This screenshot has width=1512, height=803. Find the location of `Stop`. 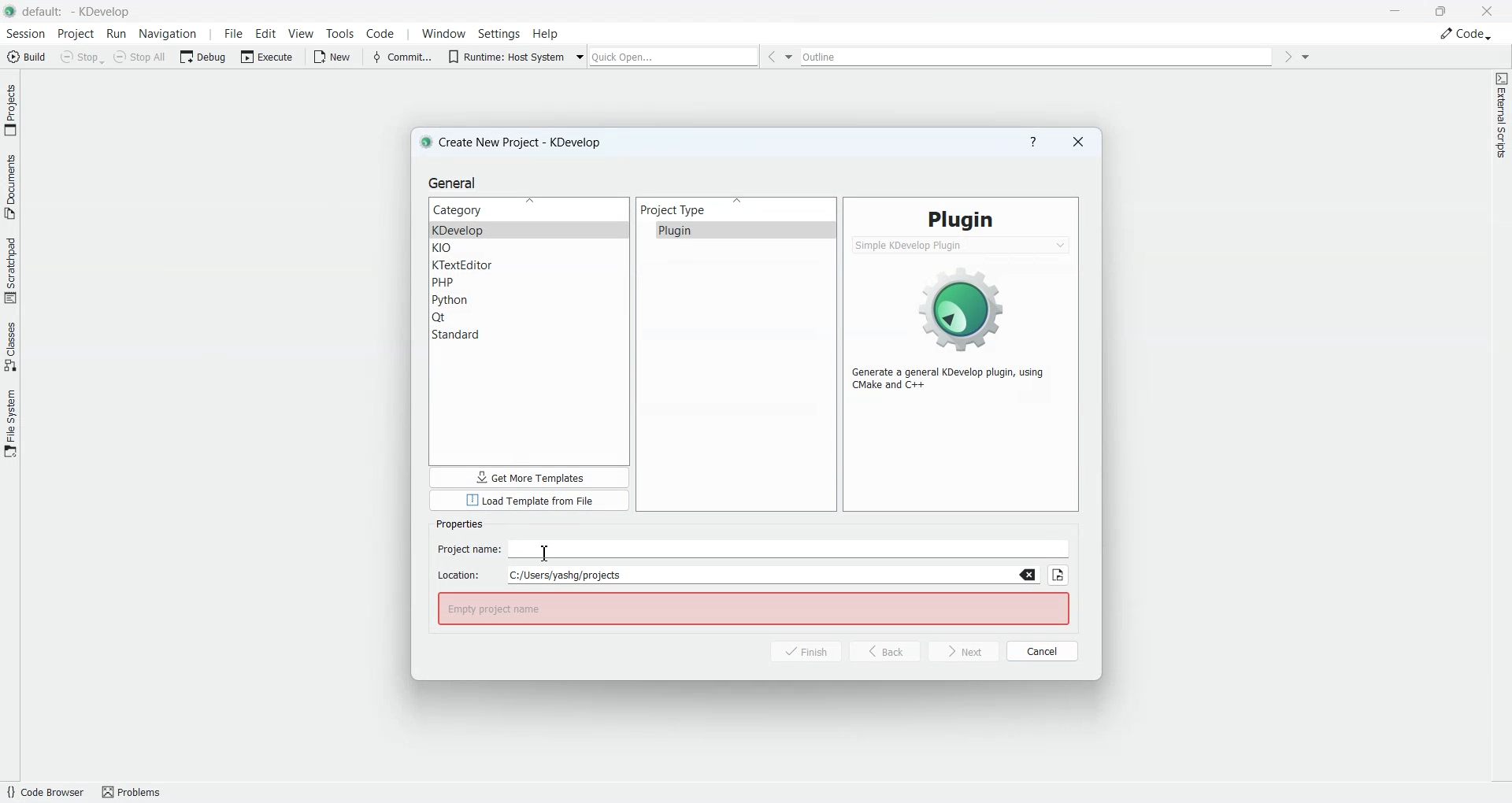

Stop is located at coordinates (82, 57).